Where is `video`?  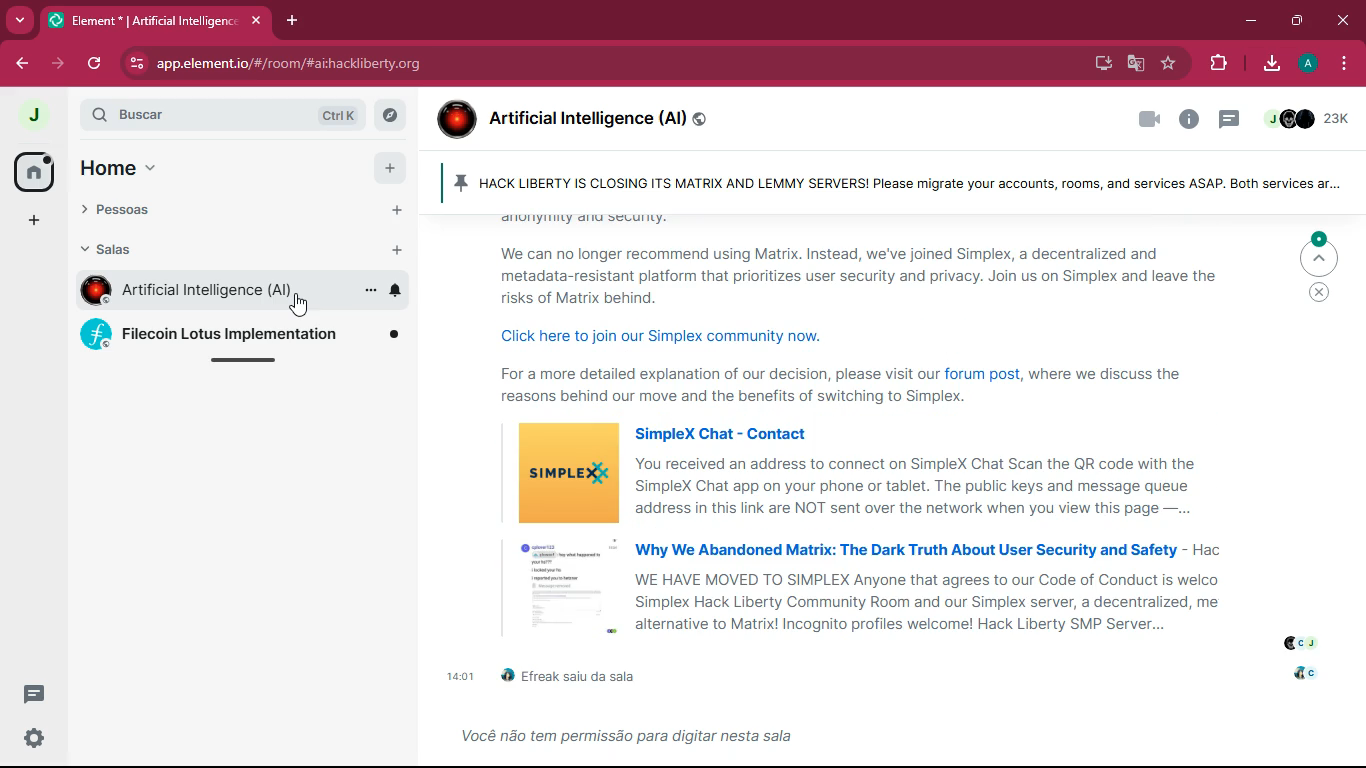
video is located at coordinates (1145, 121).